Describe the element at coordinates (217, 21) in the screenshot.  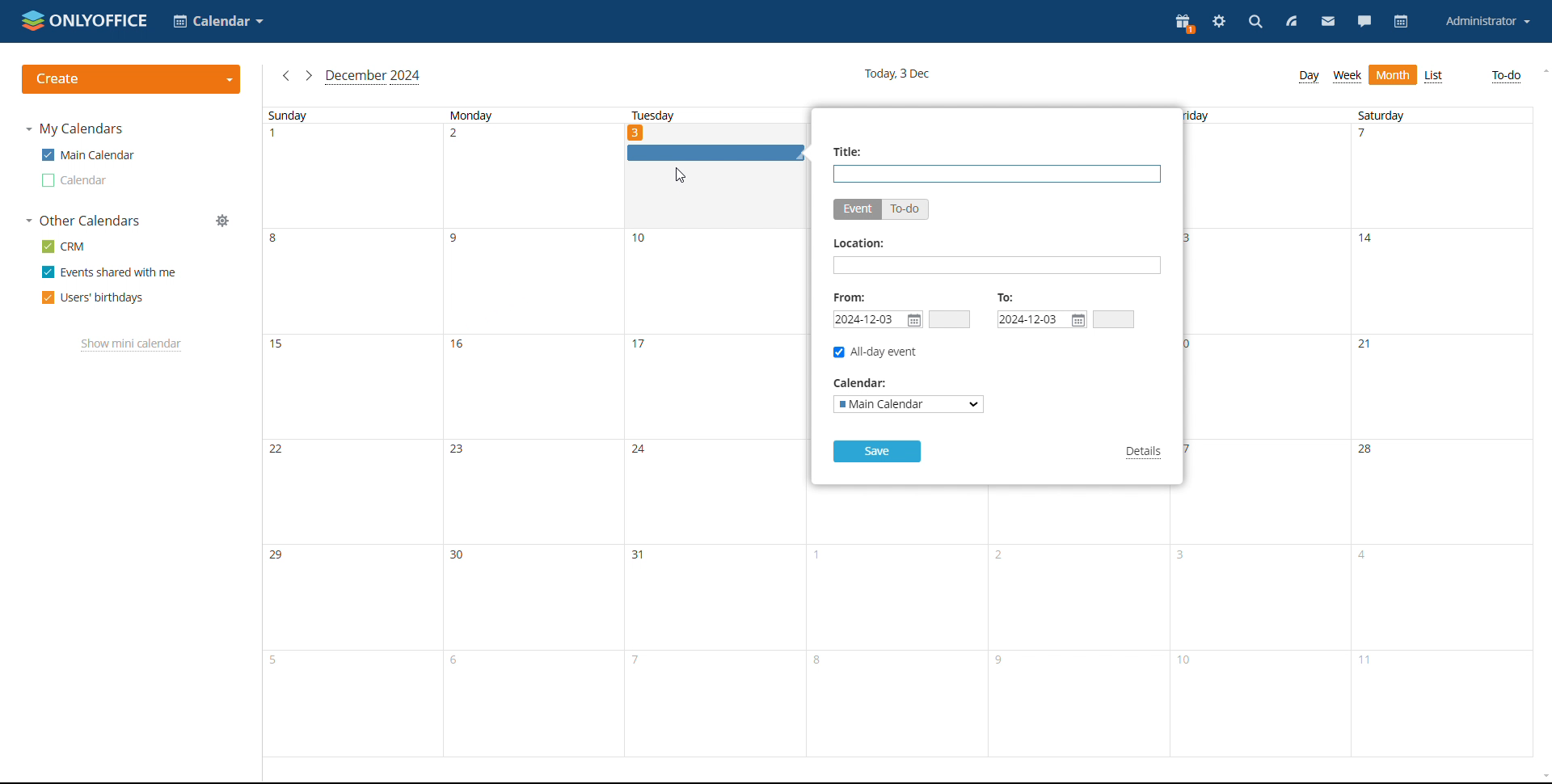
I see `select application` at that location.